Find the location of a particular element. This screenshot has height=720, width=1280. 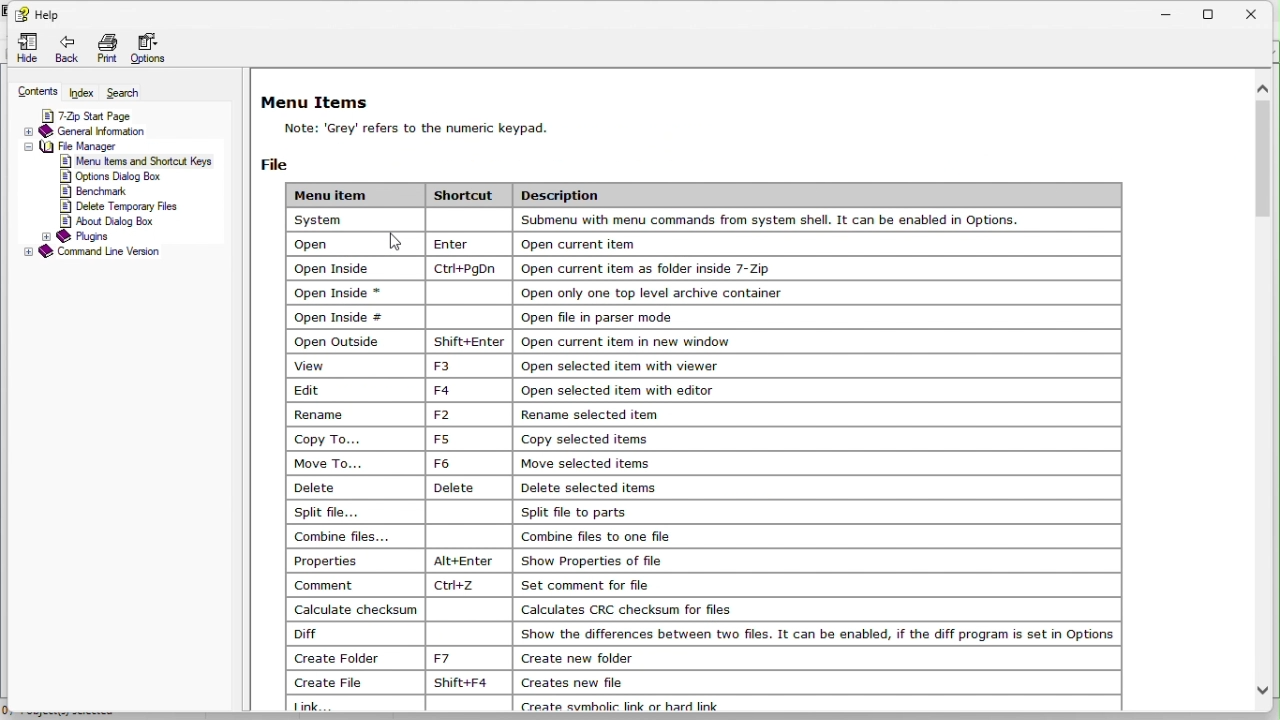

menu items and shortcut keys is located at coordinates (129, 162).